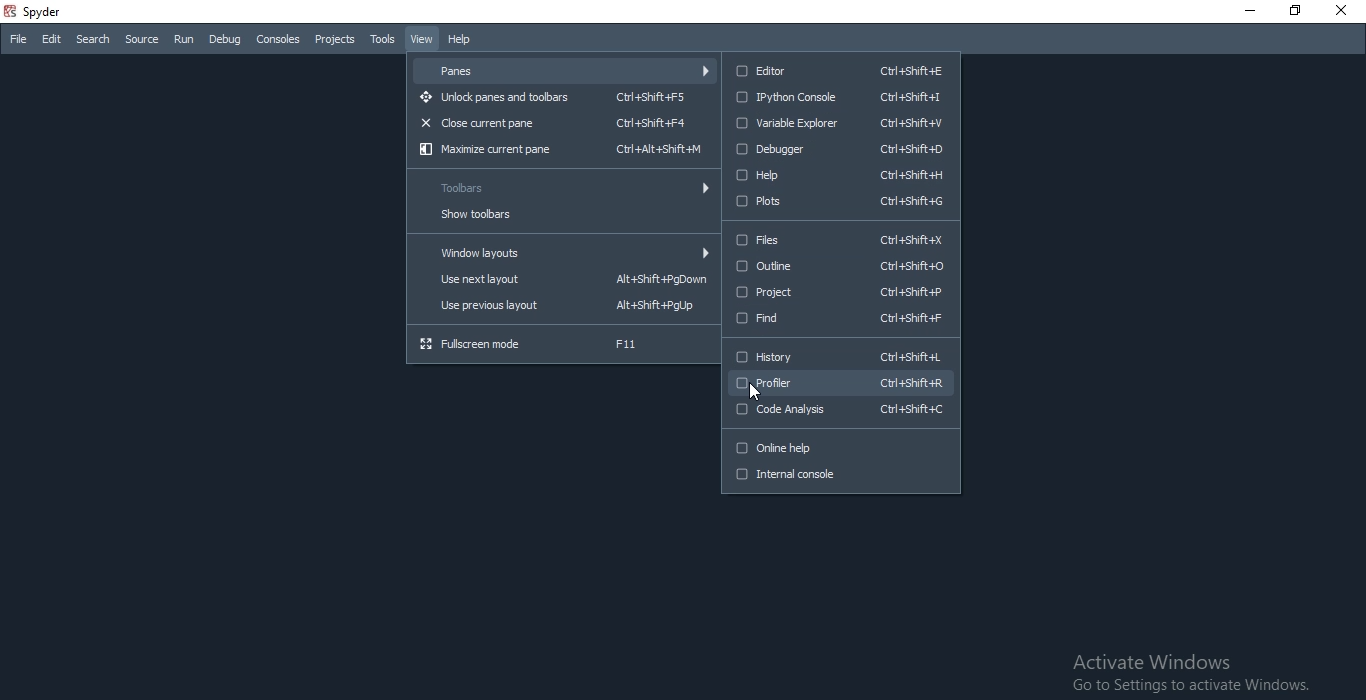 The height and width of the screenshot is (700, 1366). I want to click on Help, so click(462, 39).